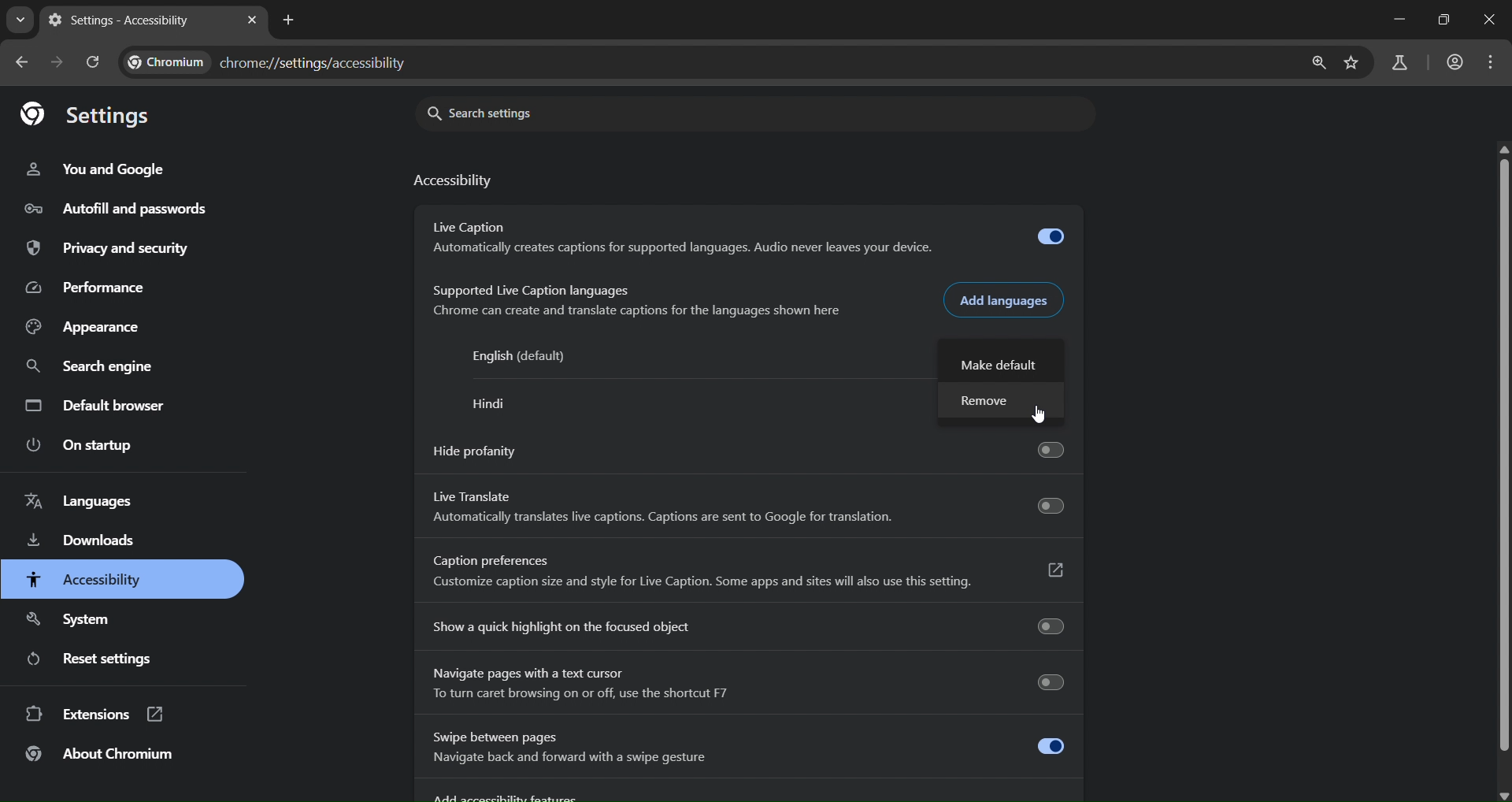 This screenshot has height=802, width=1512. Describe the element at coordinates (1503, 459) in the screenshot. I see `scroll bar` at that location.